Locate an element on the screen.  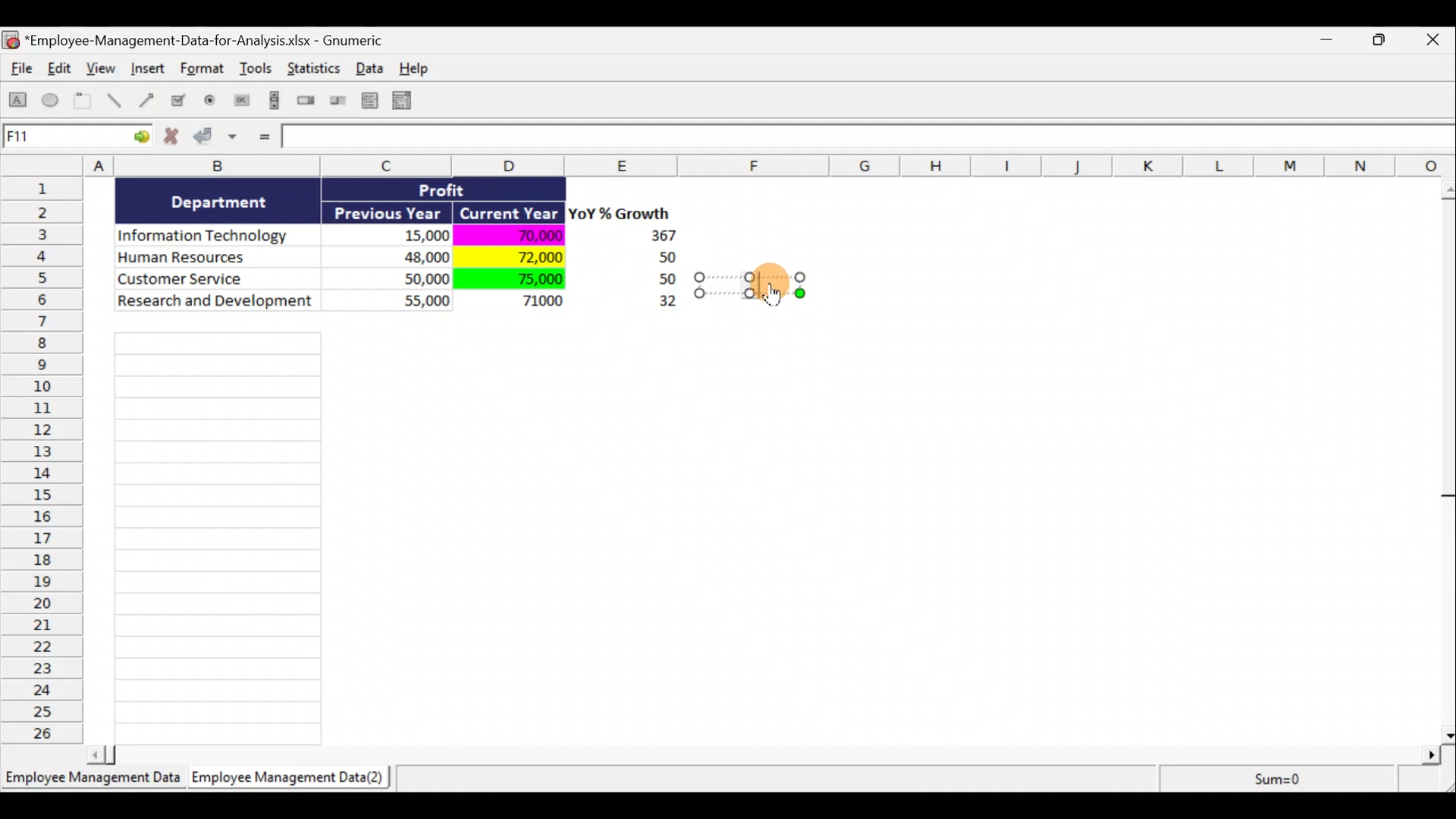
Statistics is located at coordinates (315, 73).